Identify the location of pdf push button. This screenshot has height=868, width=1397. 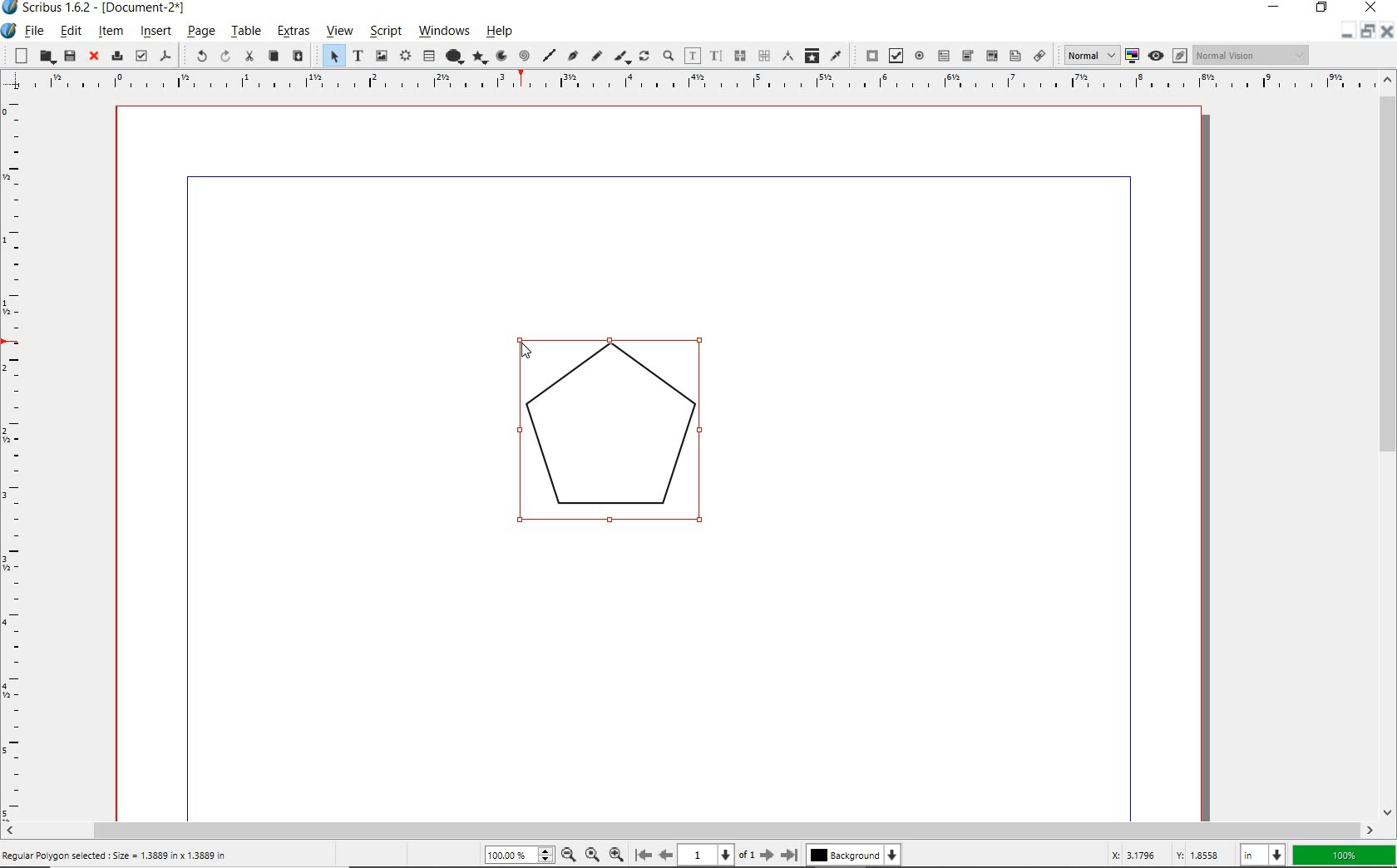
(868, 55).